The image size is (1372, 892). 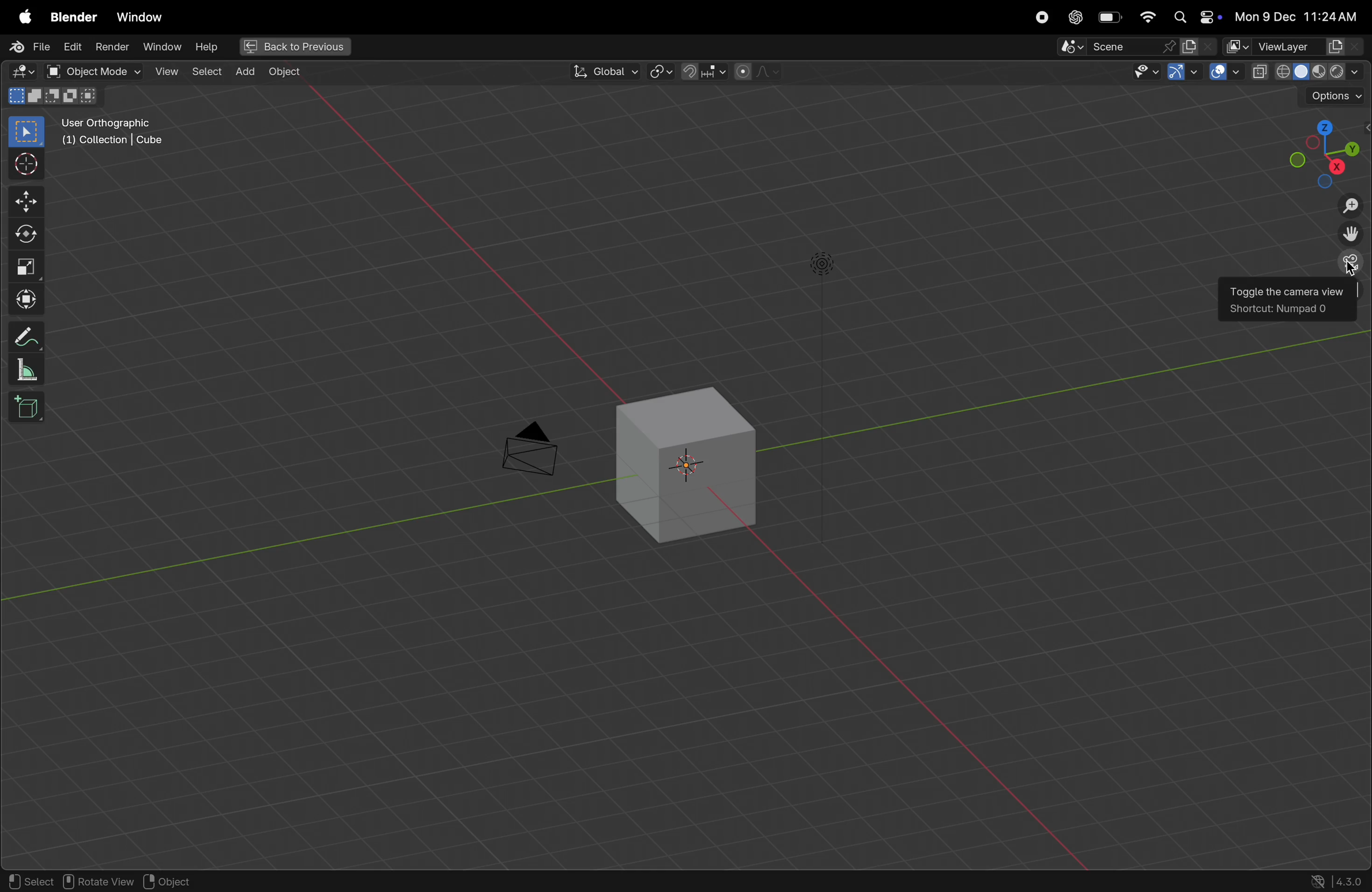 What do you see at coordinates (89, 70) in the screenshot?
I see `object mode` at bounding box center [89, 70].